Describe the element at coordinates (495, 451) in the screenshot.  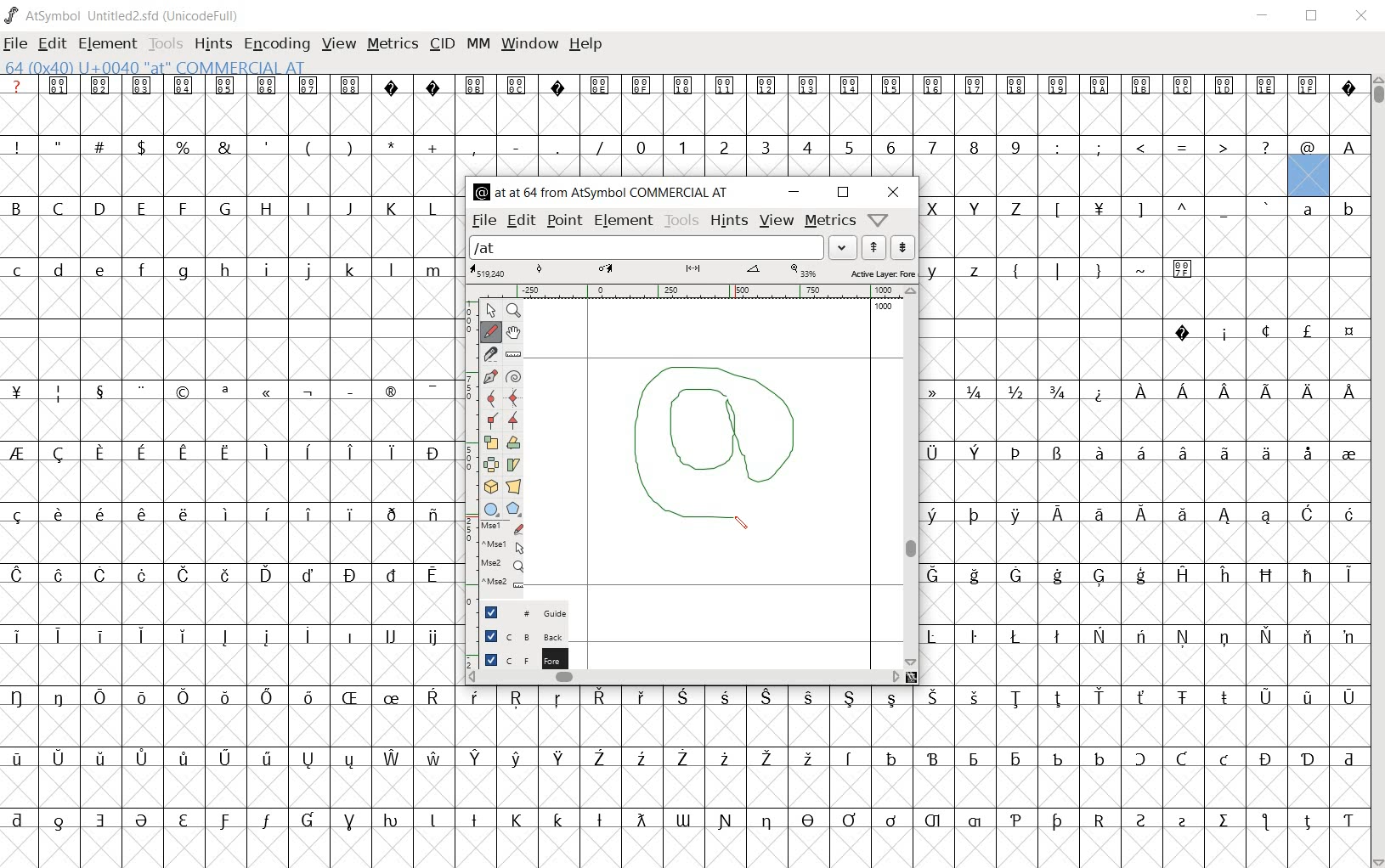
I see `editing tools` at that location.